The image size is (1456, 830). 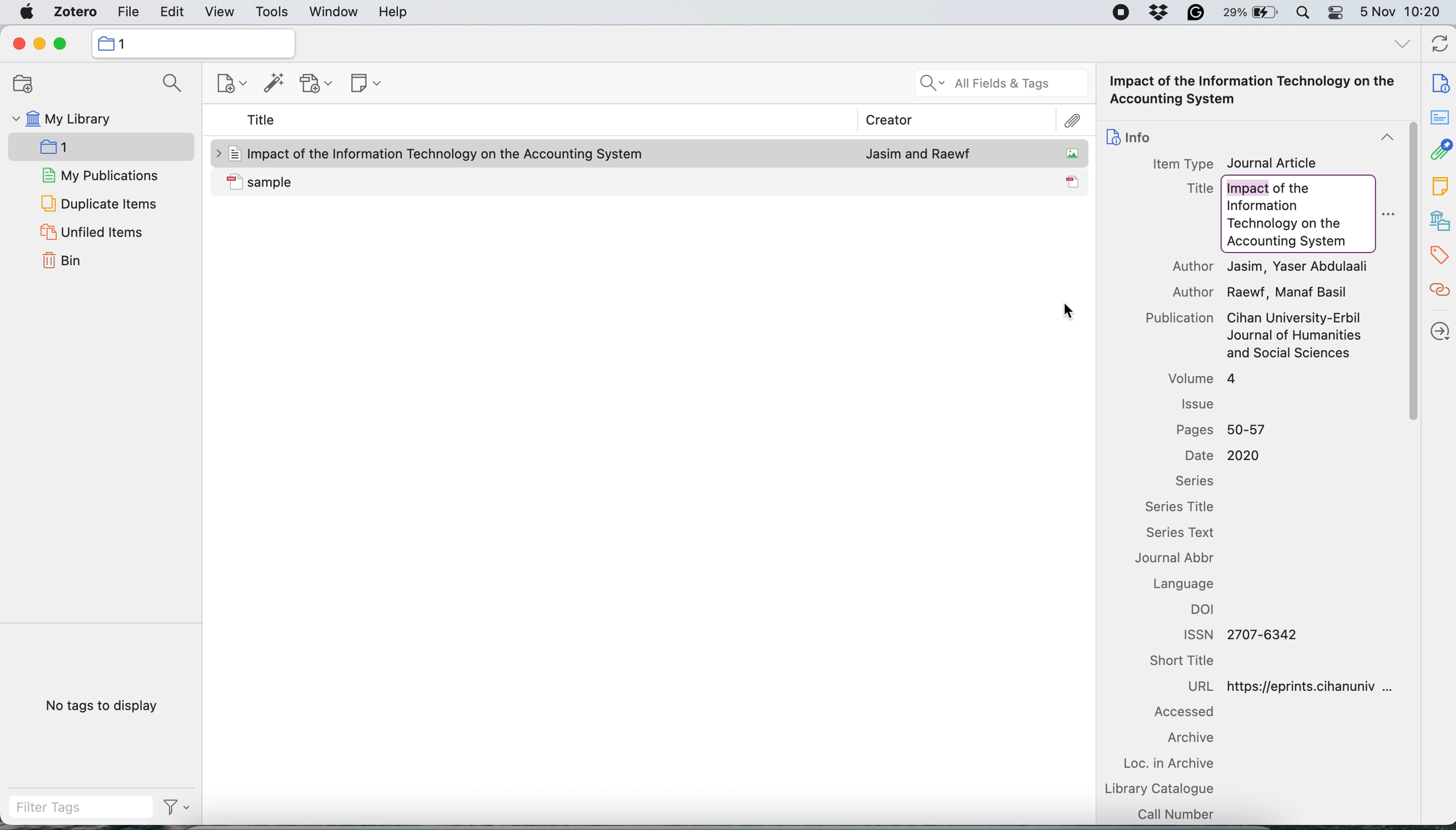 What do you see at coordinates (1252, 13) in the screenshot?
I see `battery` at bounding box center [1252, 13].